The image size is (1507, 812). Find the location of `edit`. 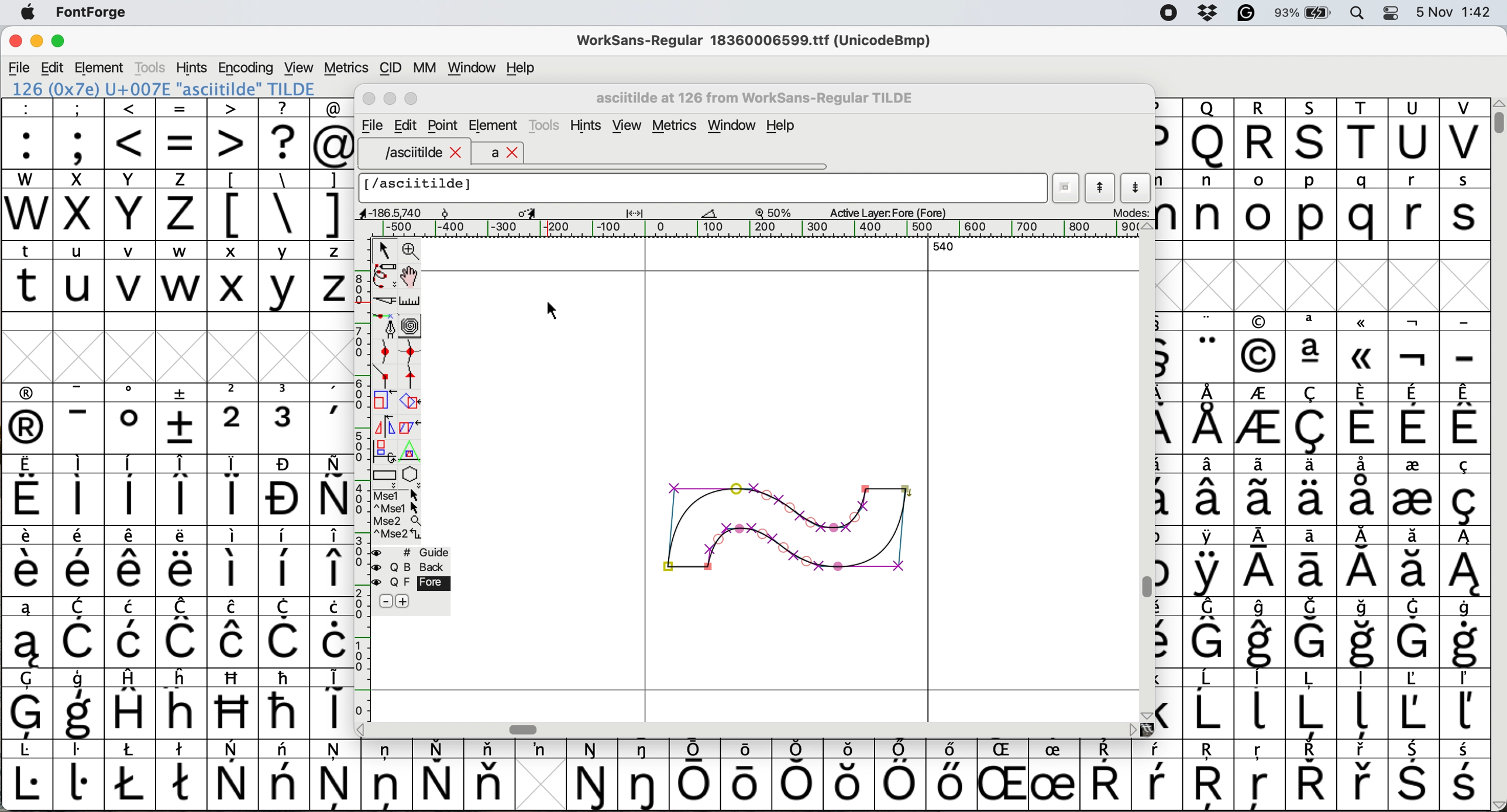

edit is located at coordinates (54, 68).